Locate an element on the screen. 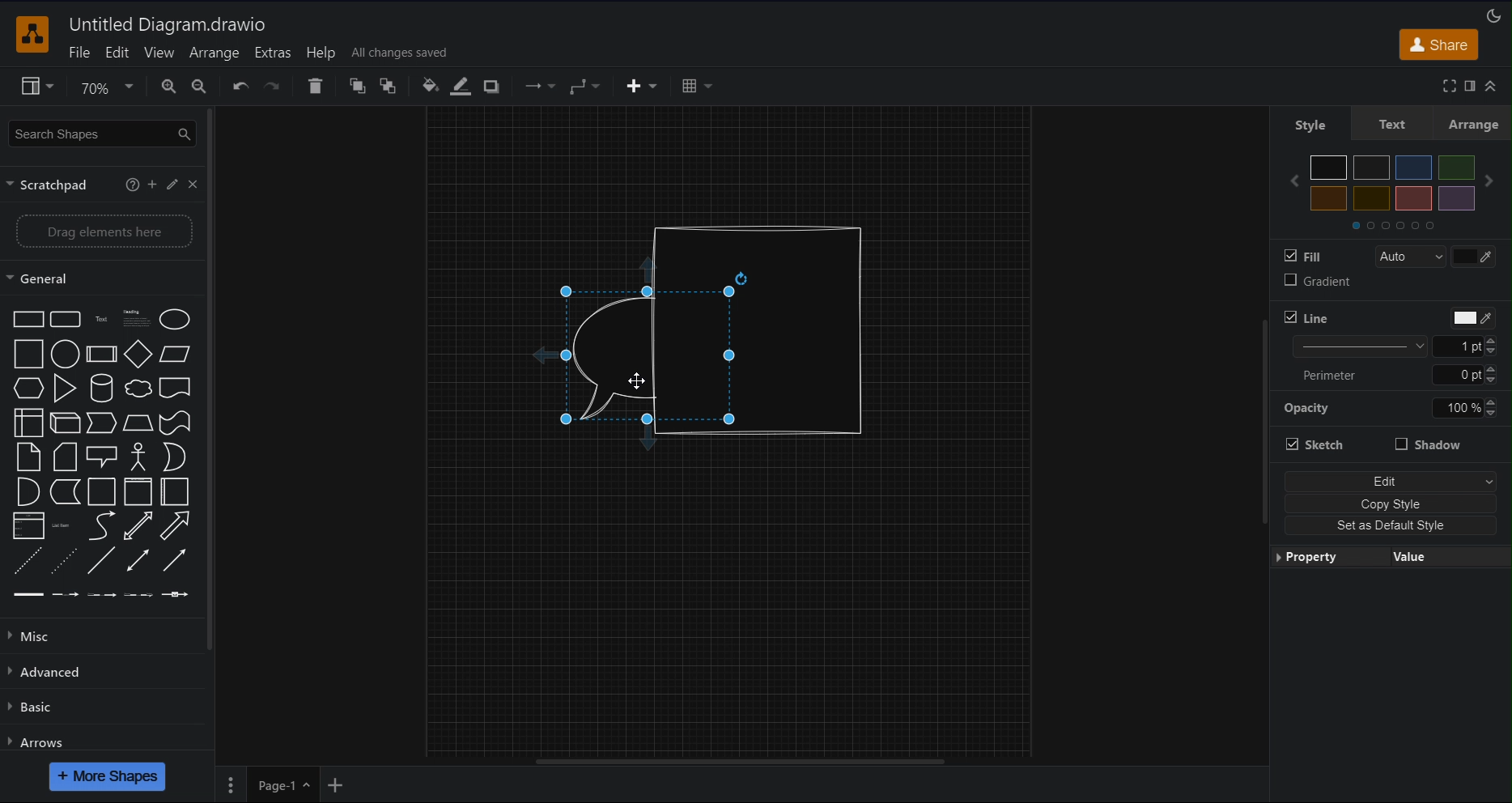 Image resolution: width=1512 pixels, height=803 pixels. Increase/Decrease line thickness is located at coordinates (1491, 375).